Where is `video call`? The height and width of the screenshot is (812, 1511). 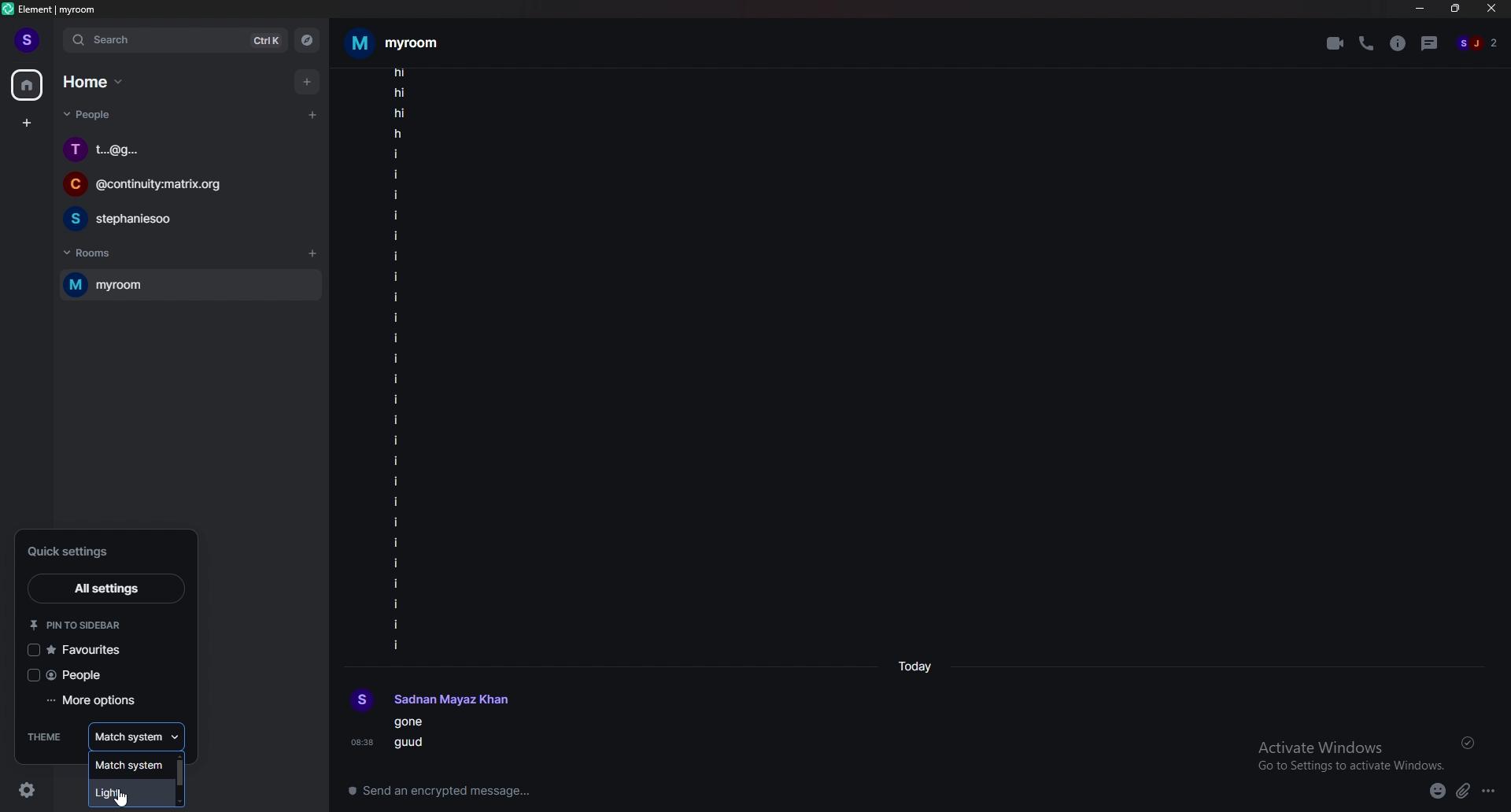
video call is located at coordinates (1336, 42).